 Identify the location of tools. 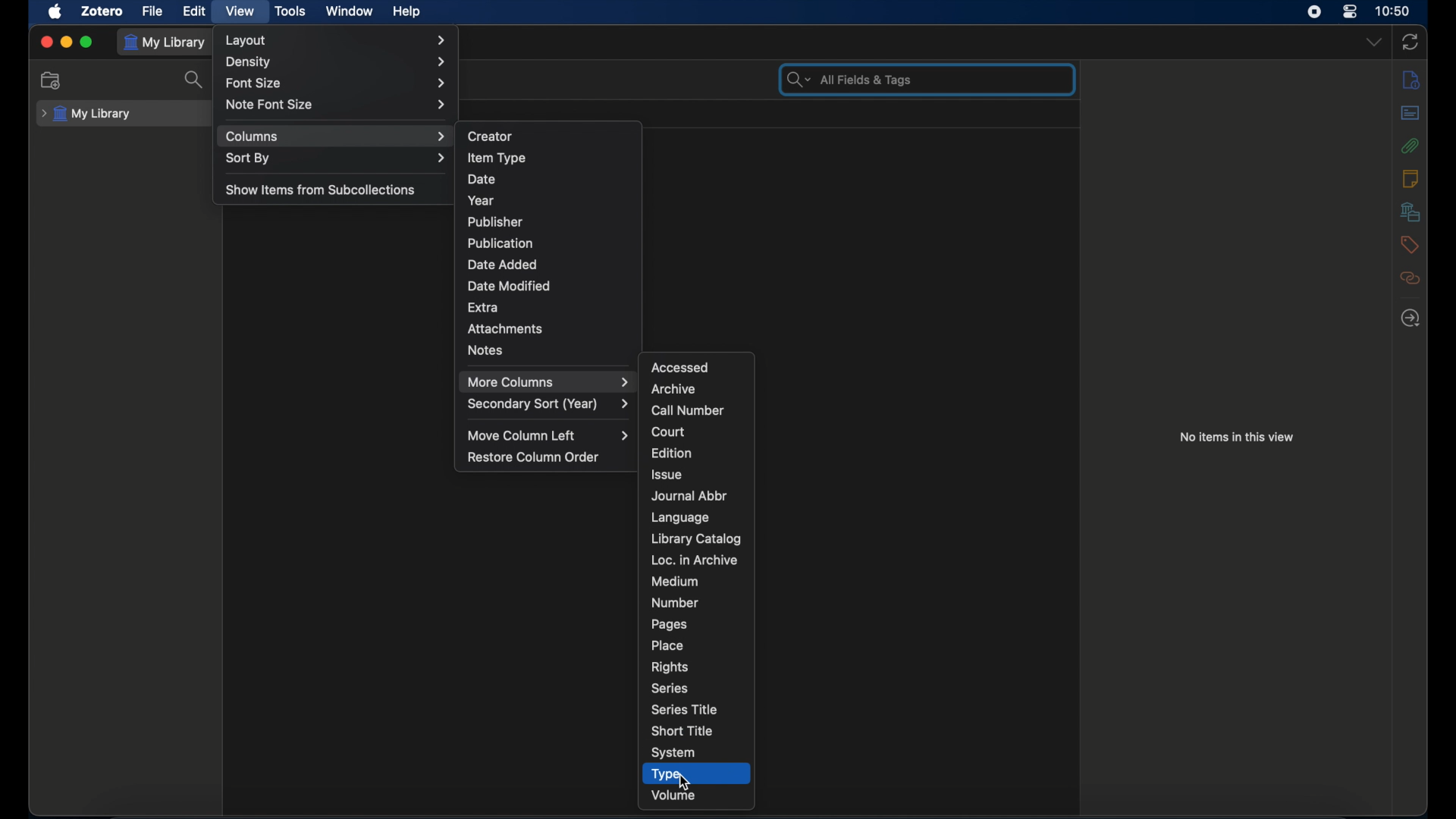
(290, 12).